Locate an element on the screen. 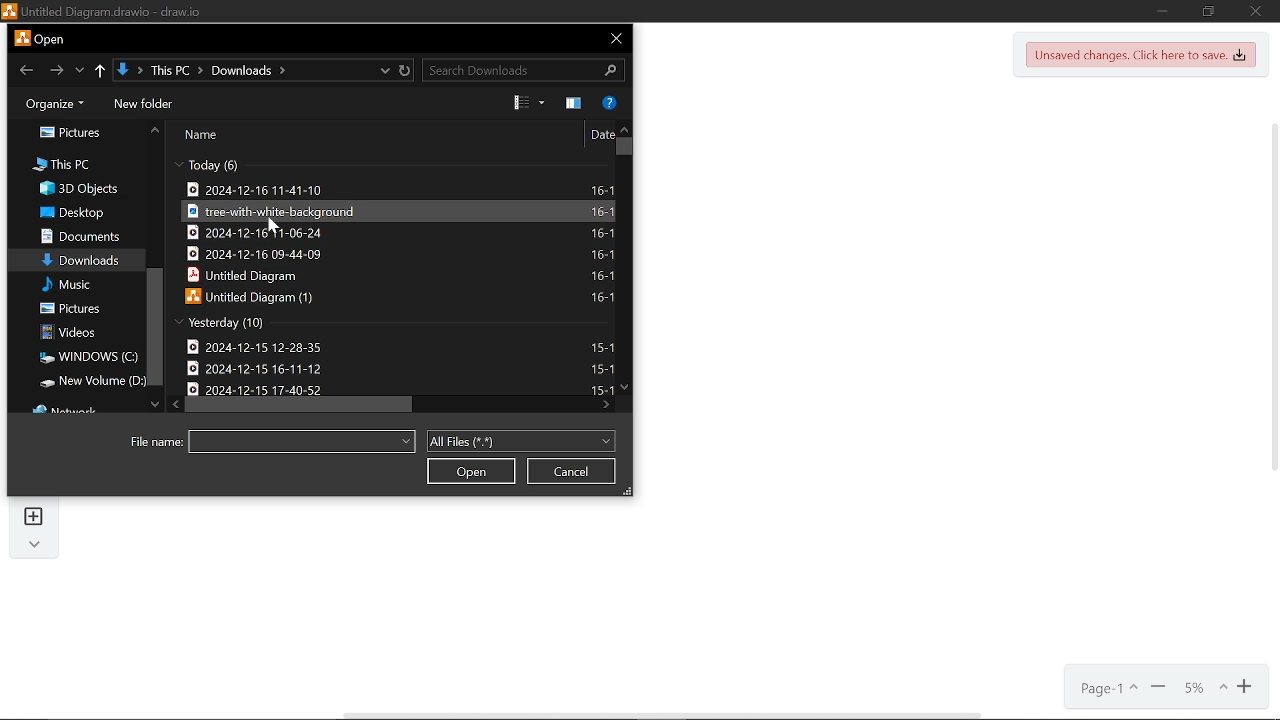 The height and width of the screenshot is (720, 1280). pictures is located at coordinates (68, 131).